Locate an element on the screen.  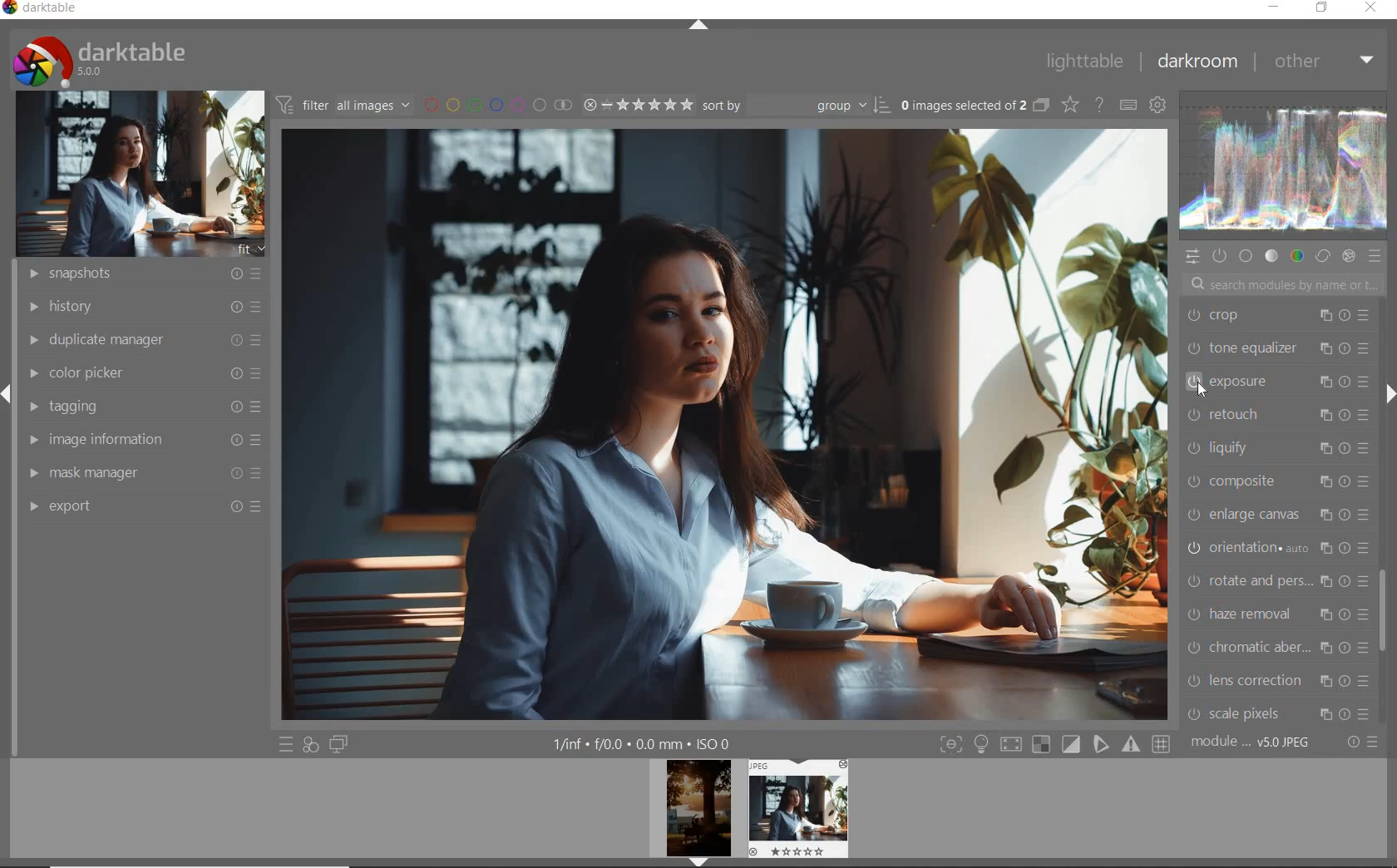
EXPORT is located at coordinates (146, 506).